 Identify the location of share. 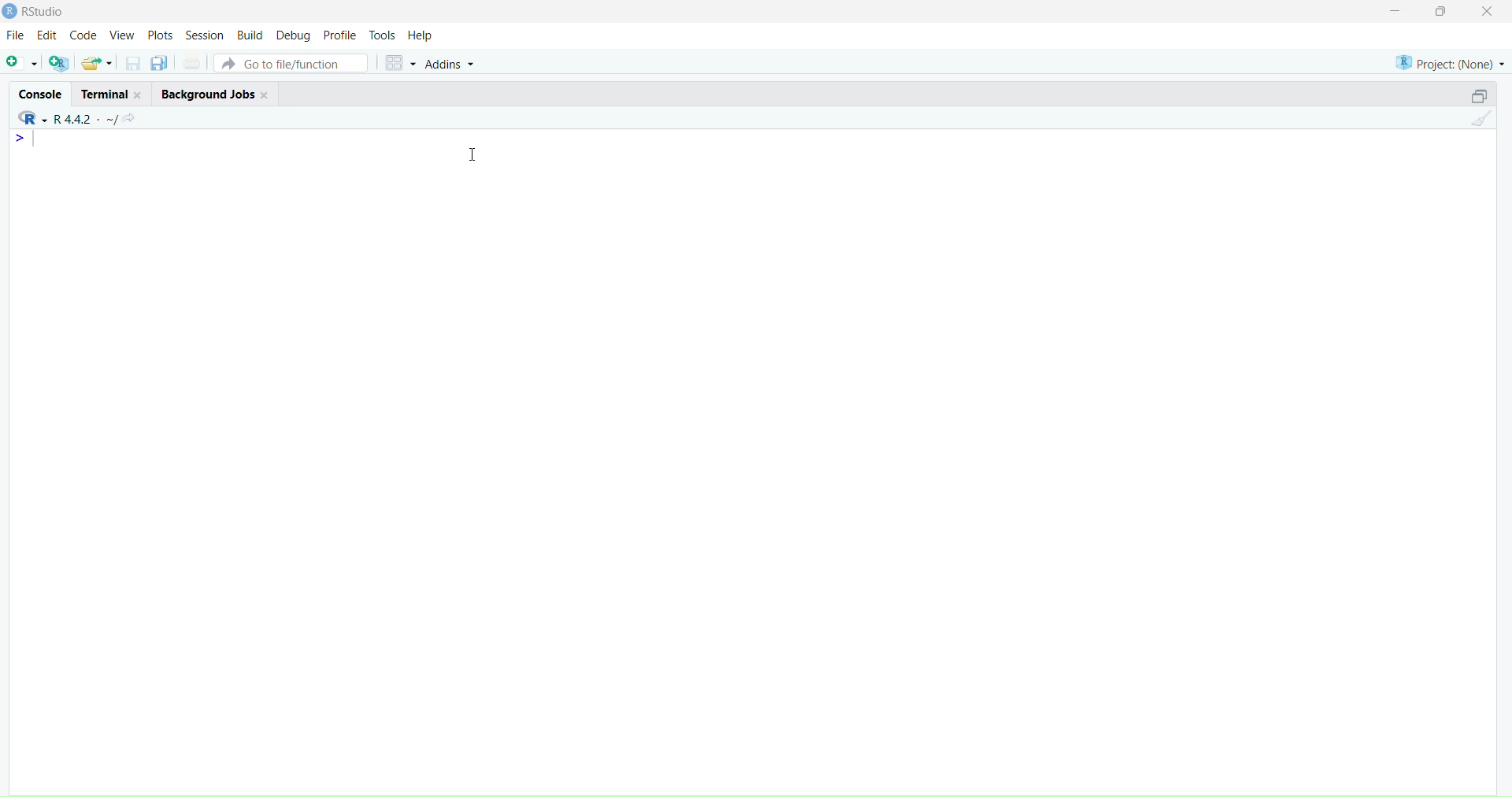
(129, 120).